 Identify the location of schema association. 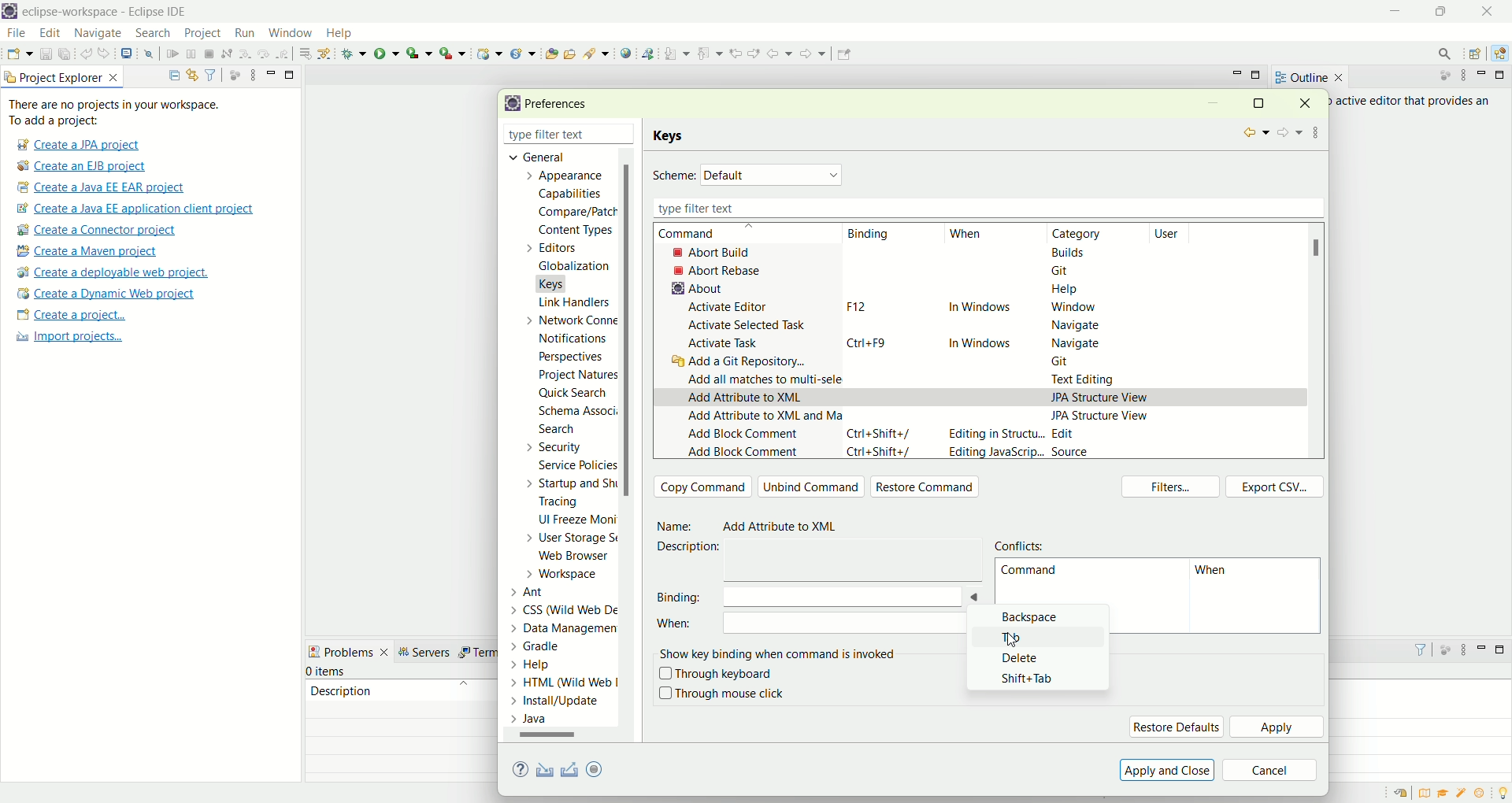
(580, 413).